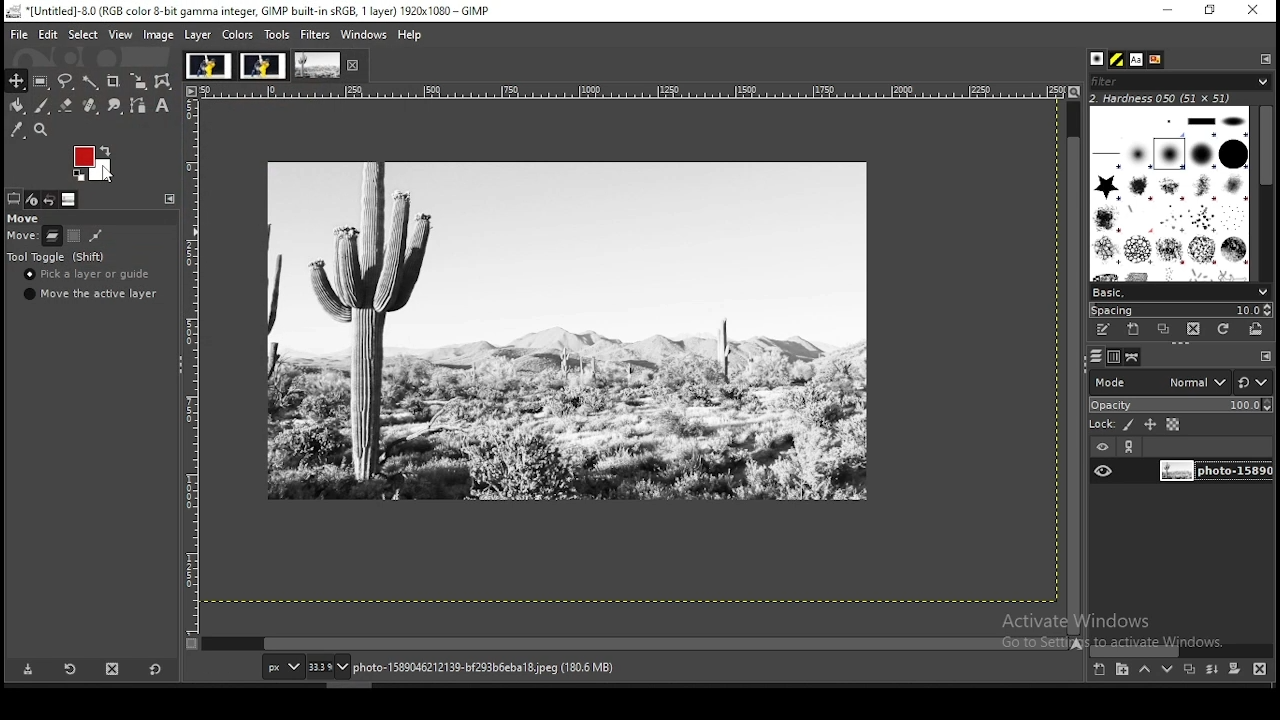 The image size is (1280, 720). Describe the element at coordinates (1150, 424) in the screenshot. I see `lock size and position` at that location.